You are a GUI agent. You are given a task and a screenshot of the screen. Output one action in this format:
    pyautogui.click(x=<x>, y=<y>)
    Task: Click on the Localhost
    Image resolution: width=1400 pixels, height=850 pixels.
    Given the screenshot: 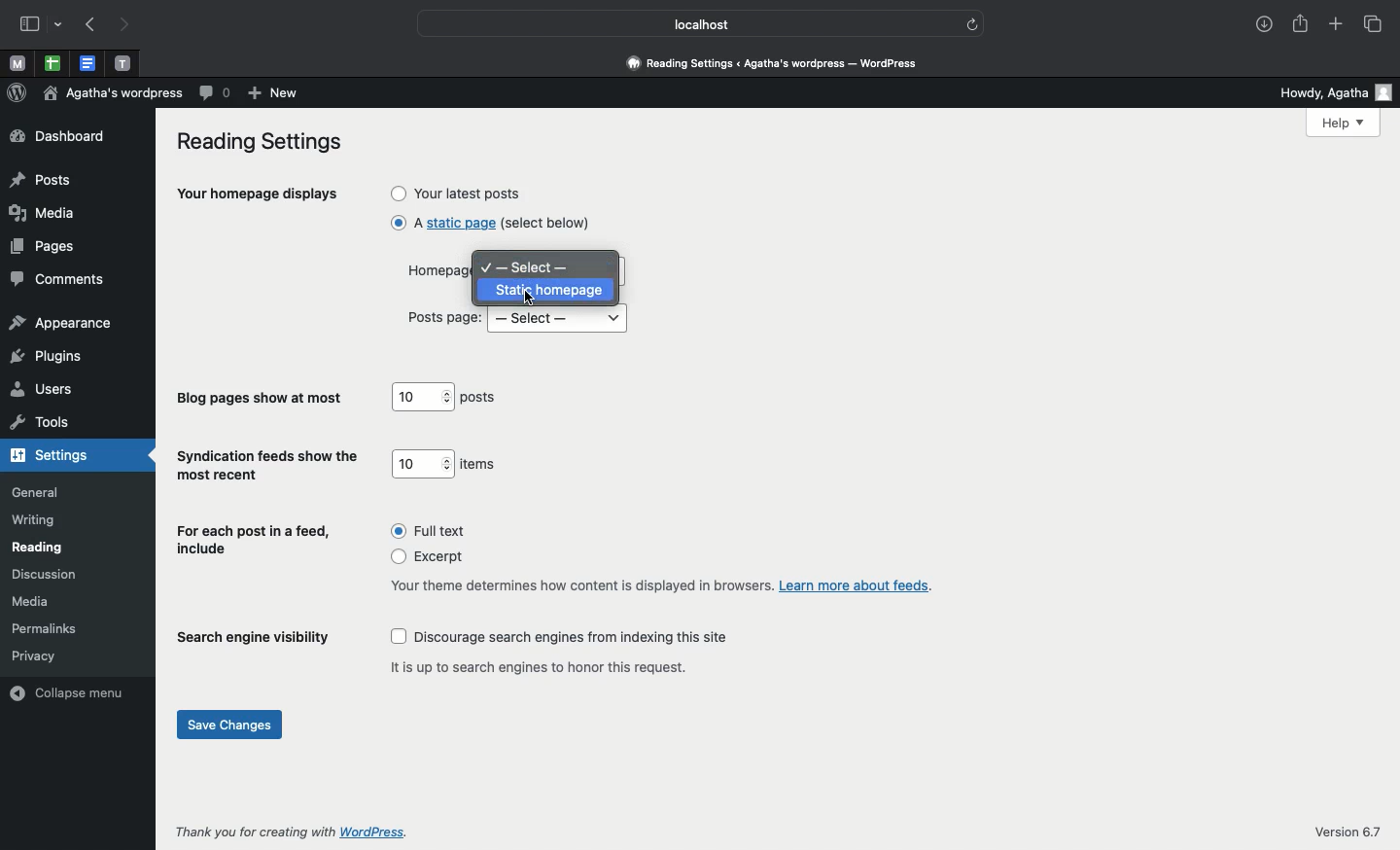 What is the action you would take?
    pyautogui.click(x=689, y=24)
    